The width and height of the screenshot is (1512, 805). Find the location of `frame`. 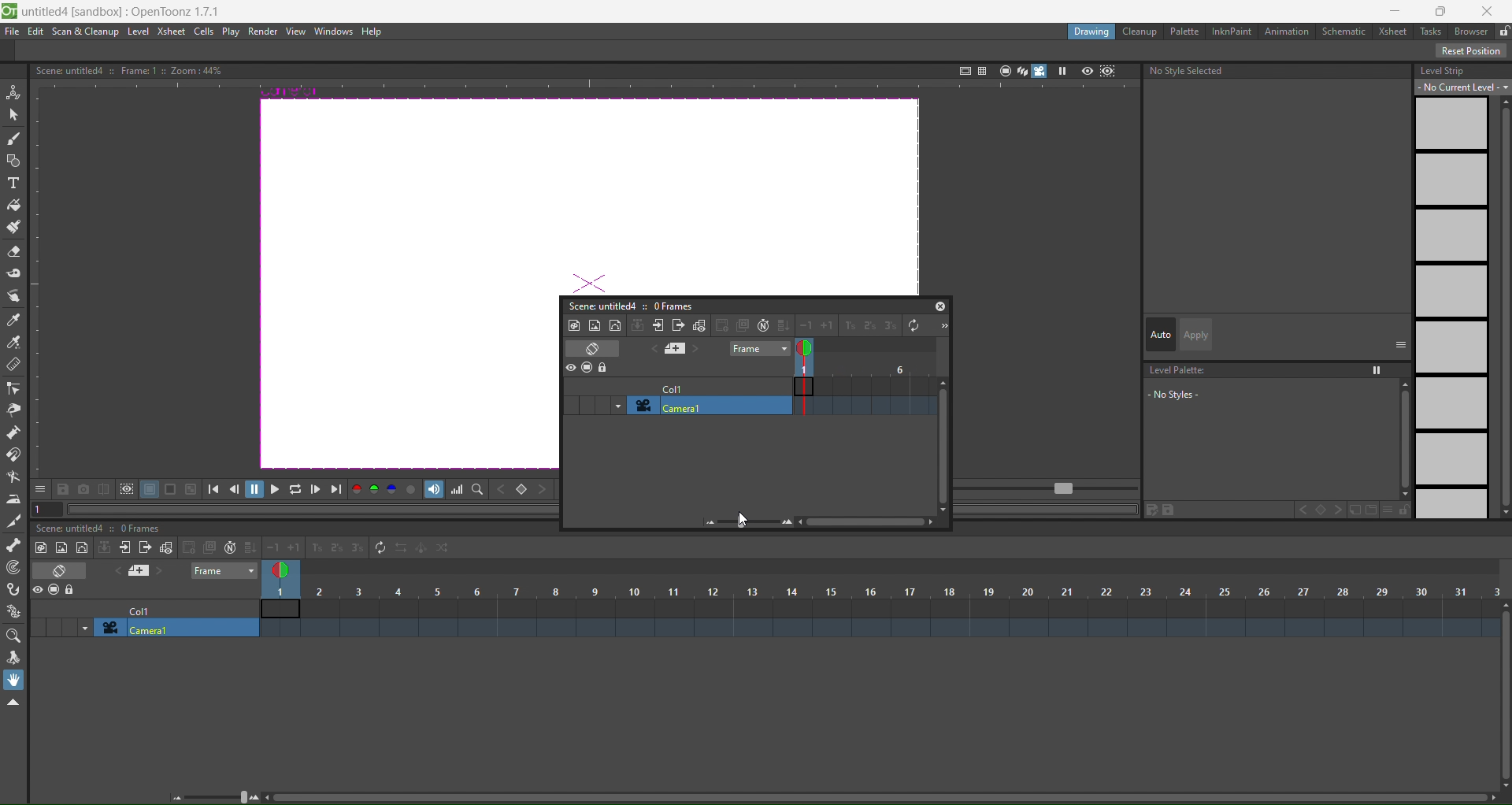

frame is located at coordinates (225, 570).